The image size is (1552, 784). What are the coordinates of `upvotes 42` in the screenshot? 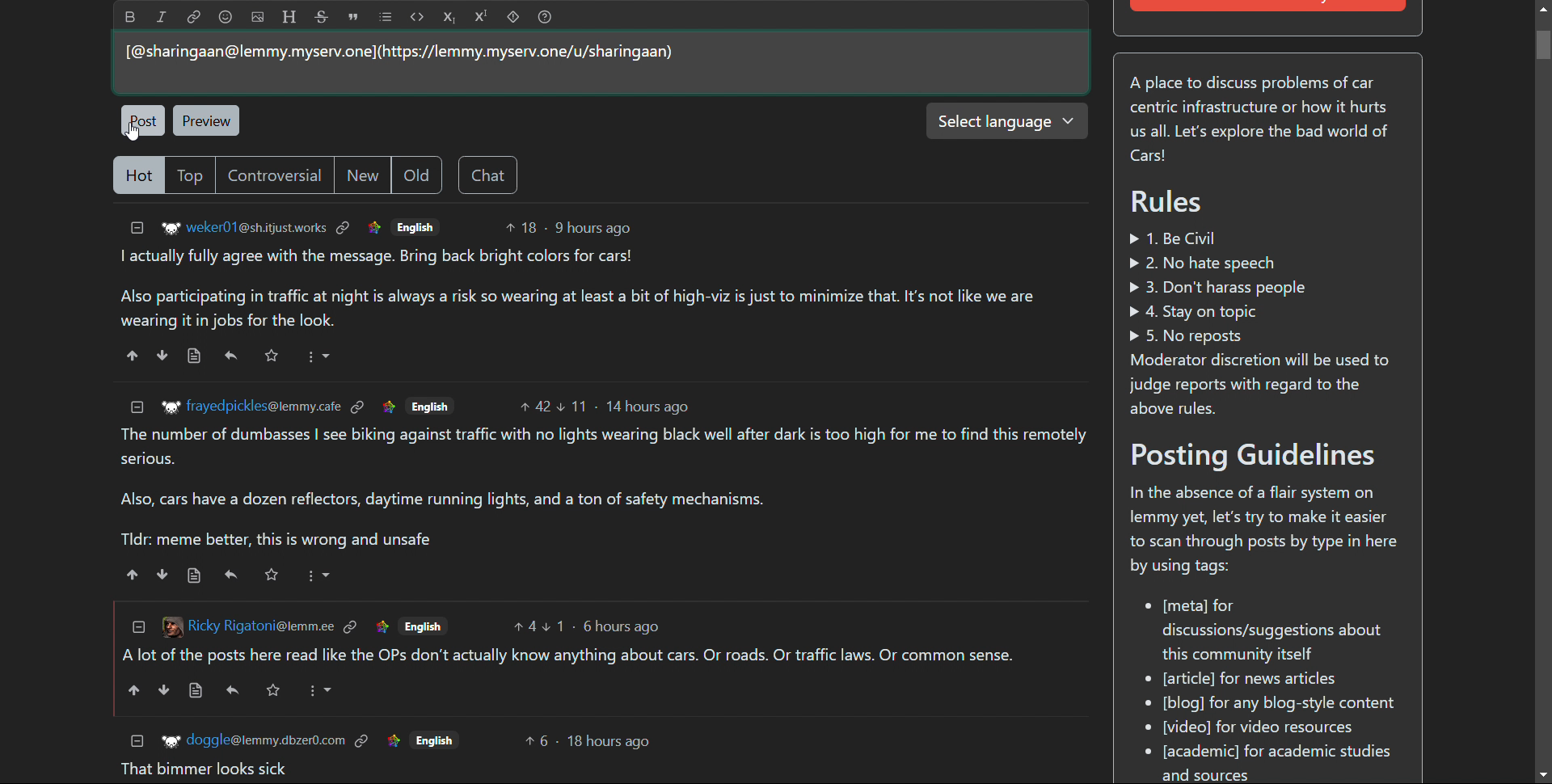 It's located at (536, 404).